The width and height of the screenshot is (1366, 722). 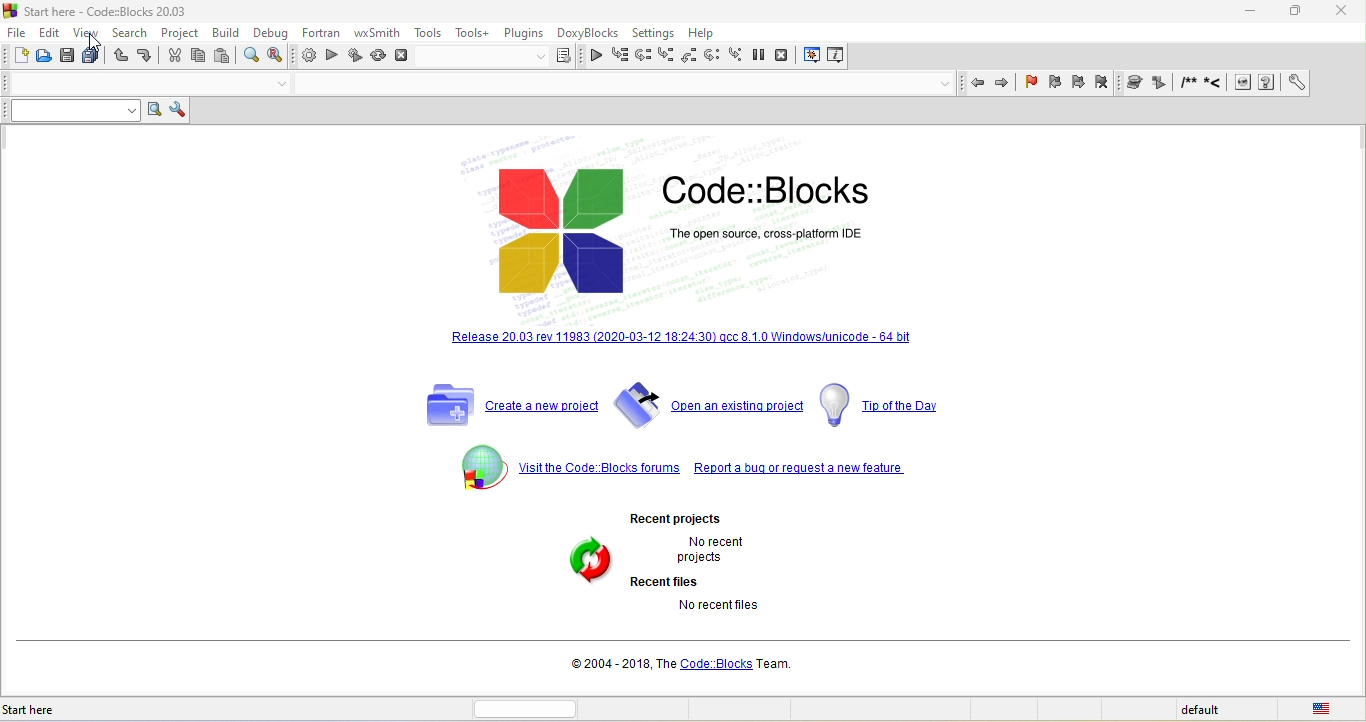 I want to click on next instruction, so click(x=711, y=56).